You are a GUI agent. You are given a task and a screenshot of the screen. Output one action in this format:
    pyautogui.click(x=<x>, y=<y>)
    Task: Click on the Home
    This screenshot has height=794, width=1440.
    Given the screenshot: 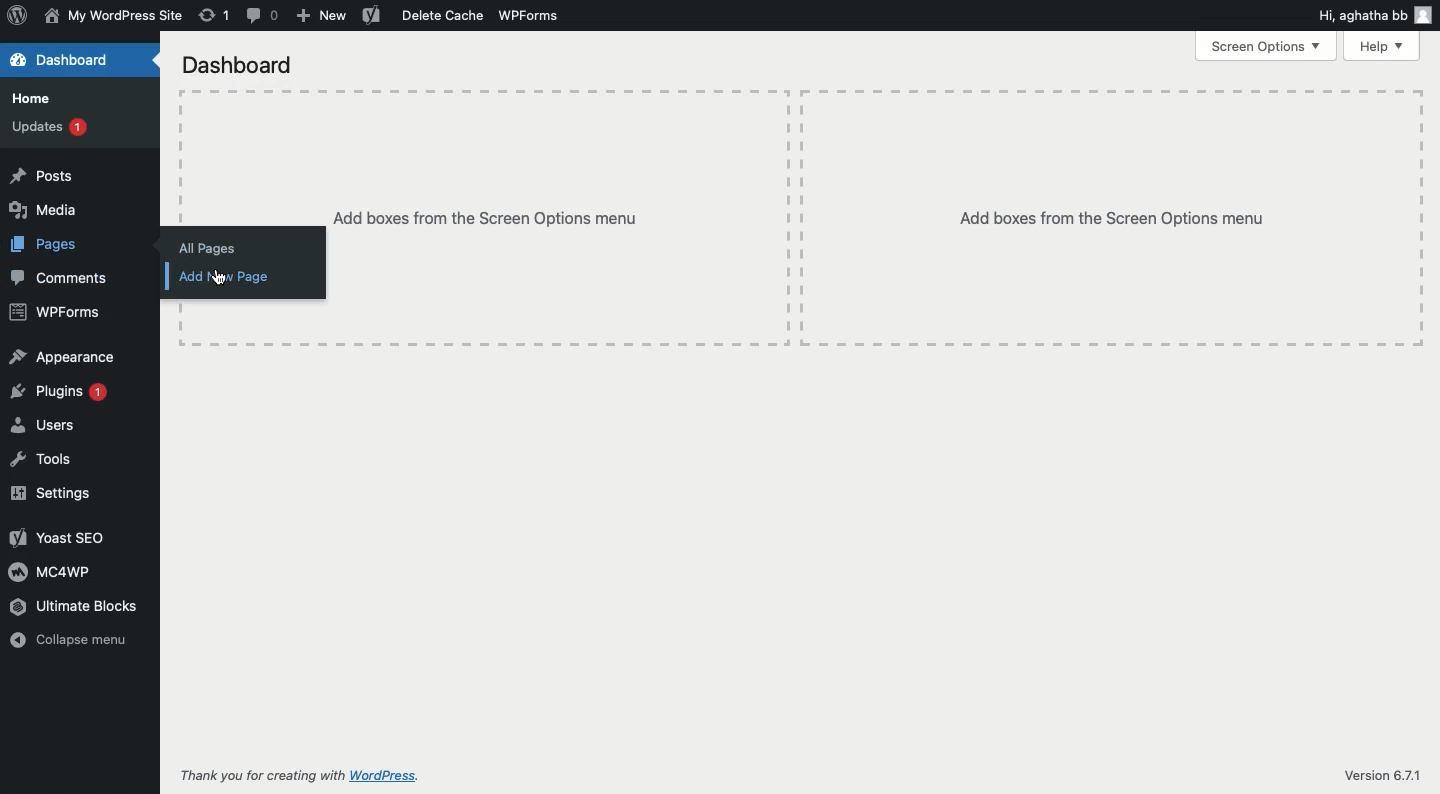 What is the action you would take?
    pyautogui.click(x=31, y=98)
    